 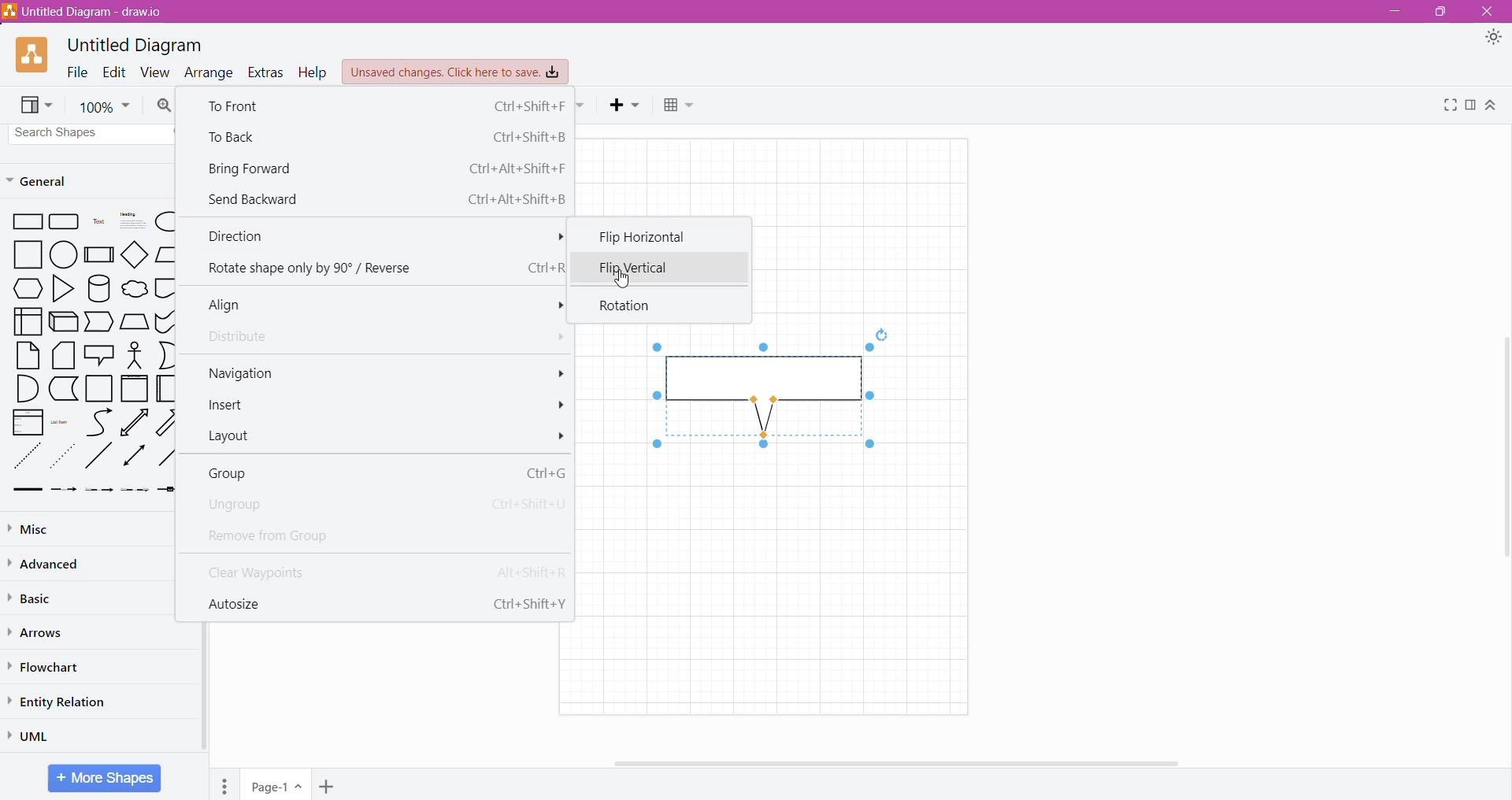 I want to click on Upward Arrow, so click(x=135, y=422).